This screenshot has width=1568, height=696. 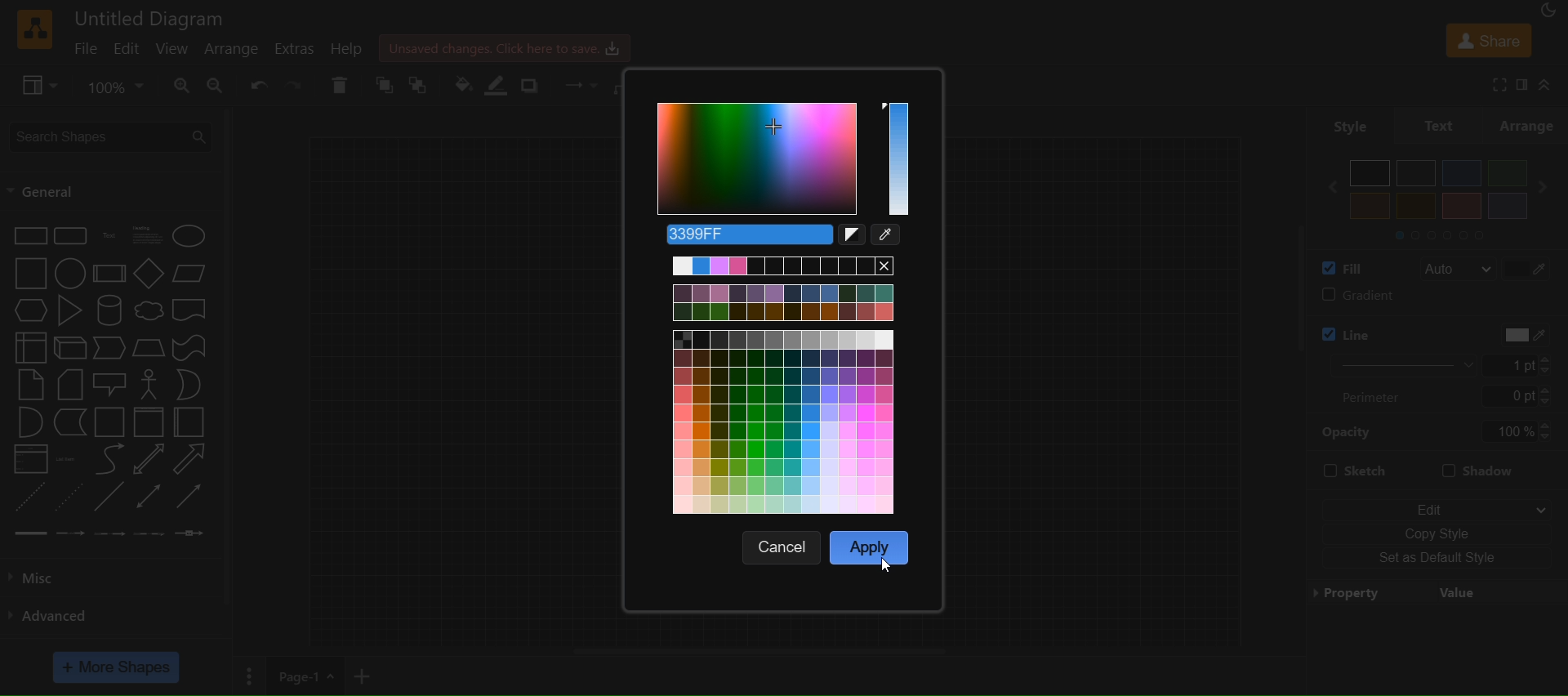 I want to click on file, so click(x=88, y=47).